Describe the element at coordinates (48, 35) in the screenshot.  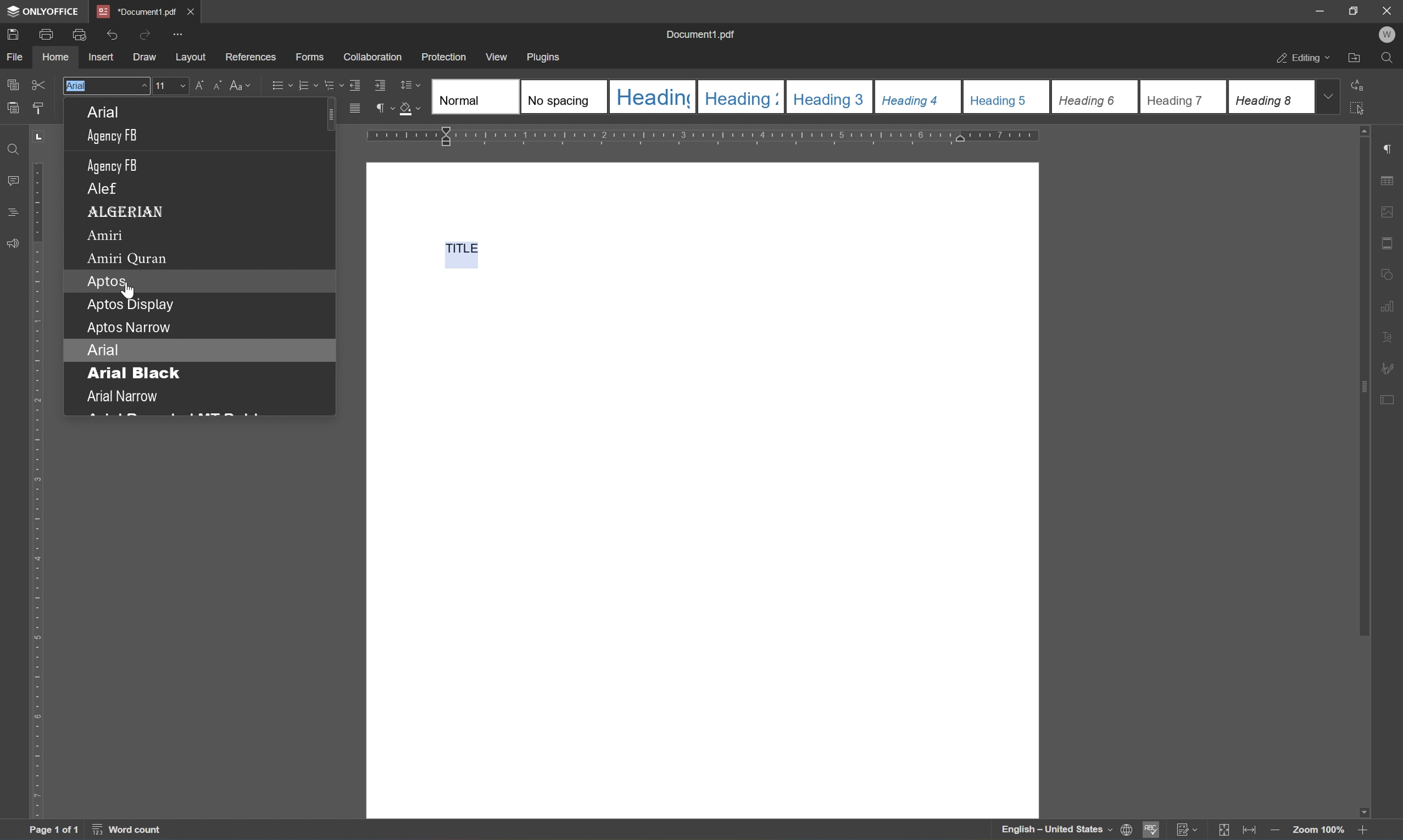
I see `print` at that location.